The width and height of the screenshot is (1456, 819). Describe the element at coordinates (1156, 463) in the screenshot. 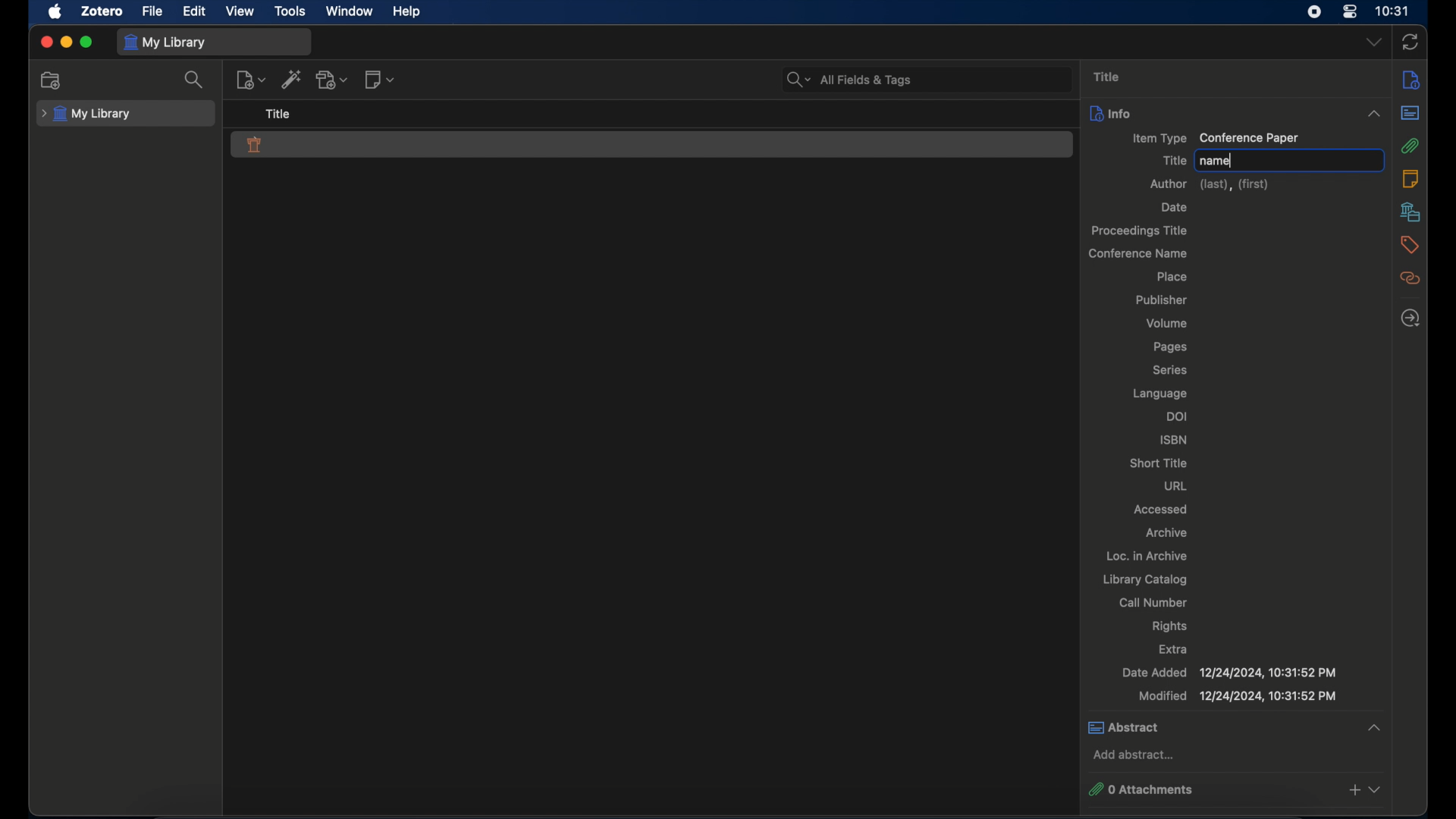

I see `short title` at that location.